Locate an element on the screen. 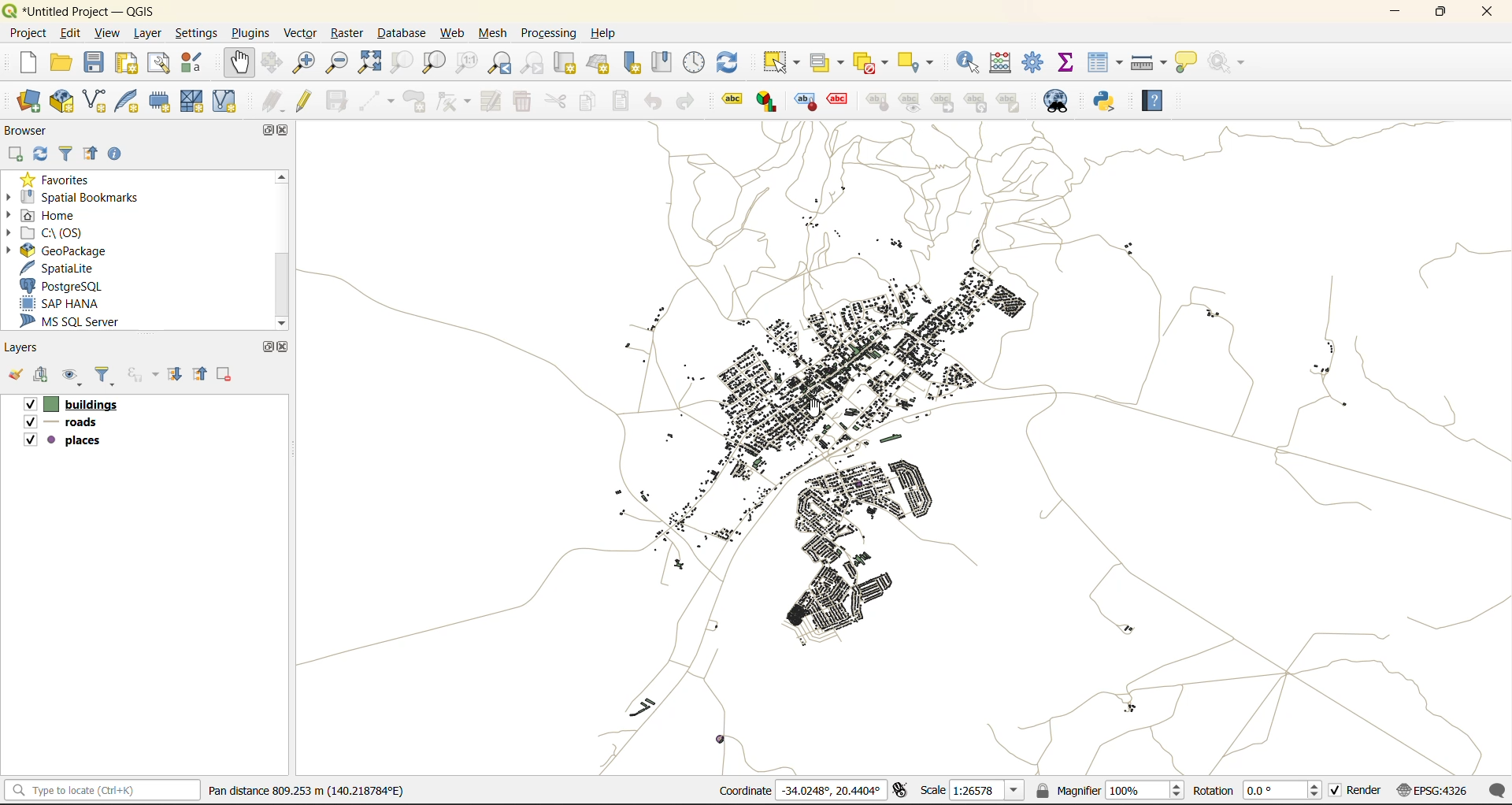 This screenshot has width=1512, height=805. roads is located at coordinates (65, 425).